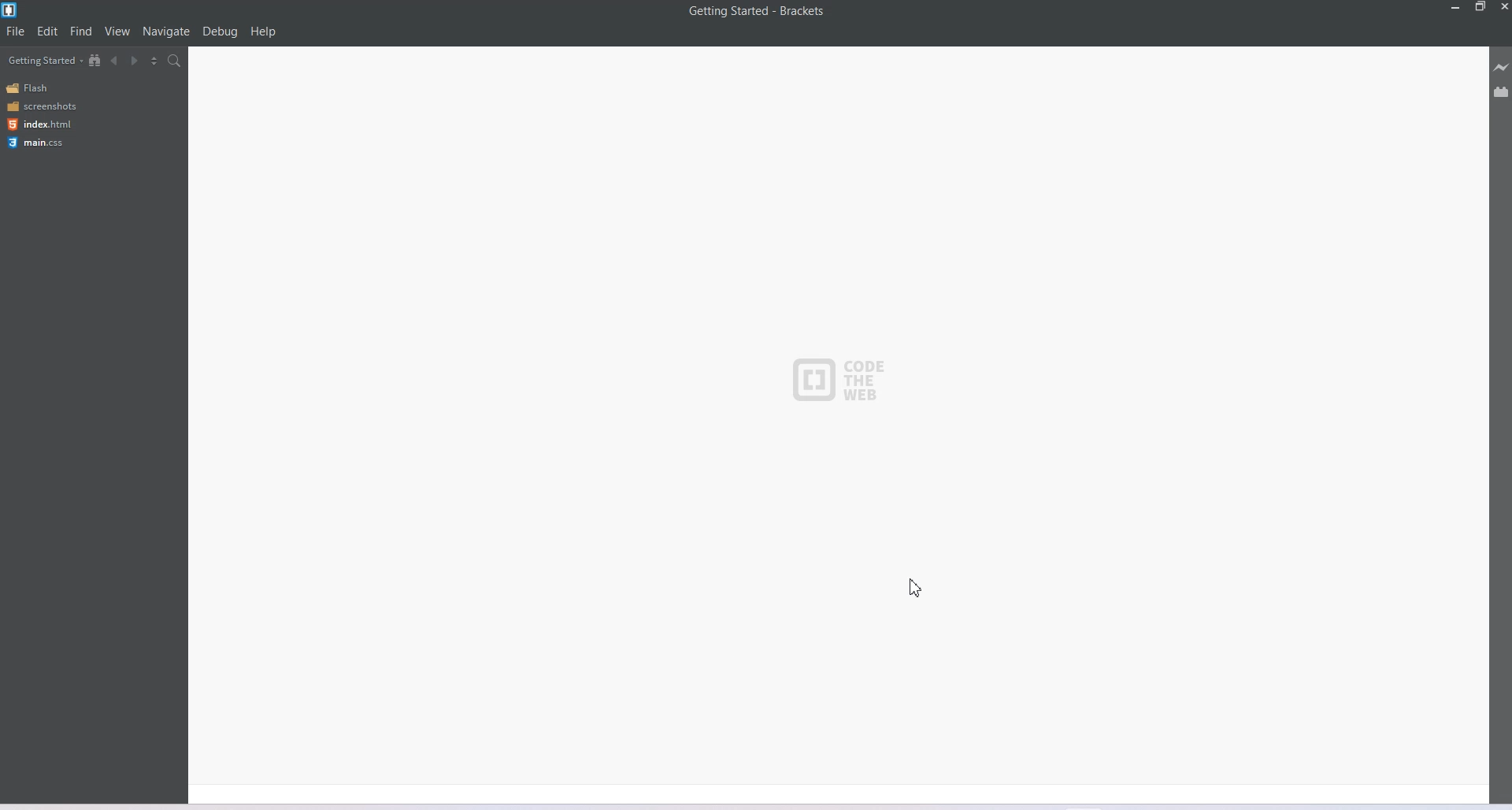 This screenshot has width=1512, height=810. Describe the element at coordinates (167, 31) in the screenshot. I see `Navigation` at that location.